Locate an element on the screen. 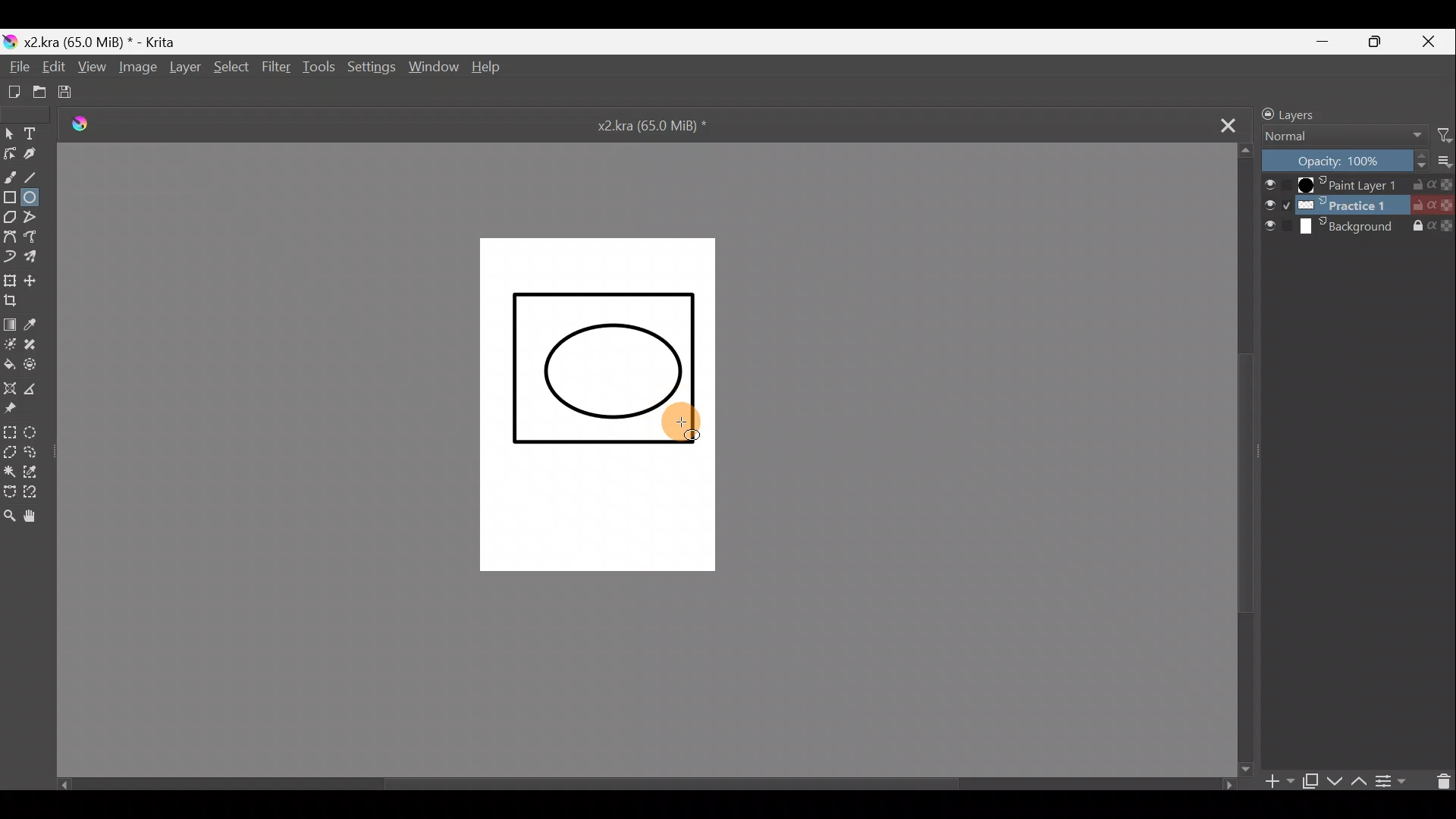 The height and width of the screenshot is (819, 1456). Freehand selection tool is located at coordinates (33, 452).